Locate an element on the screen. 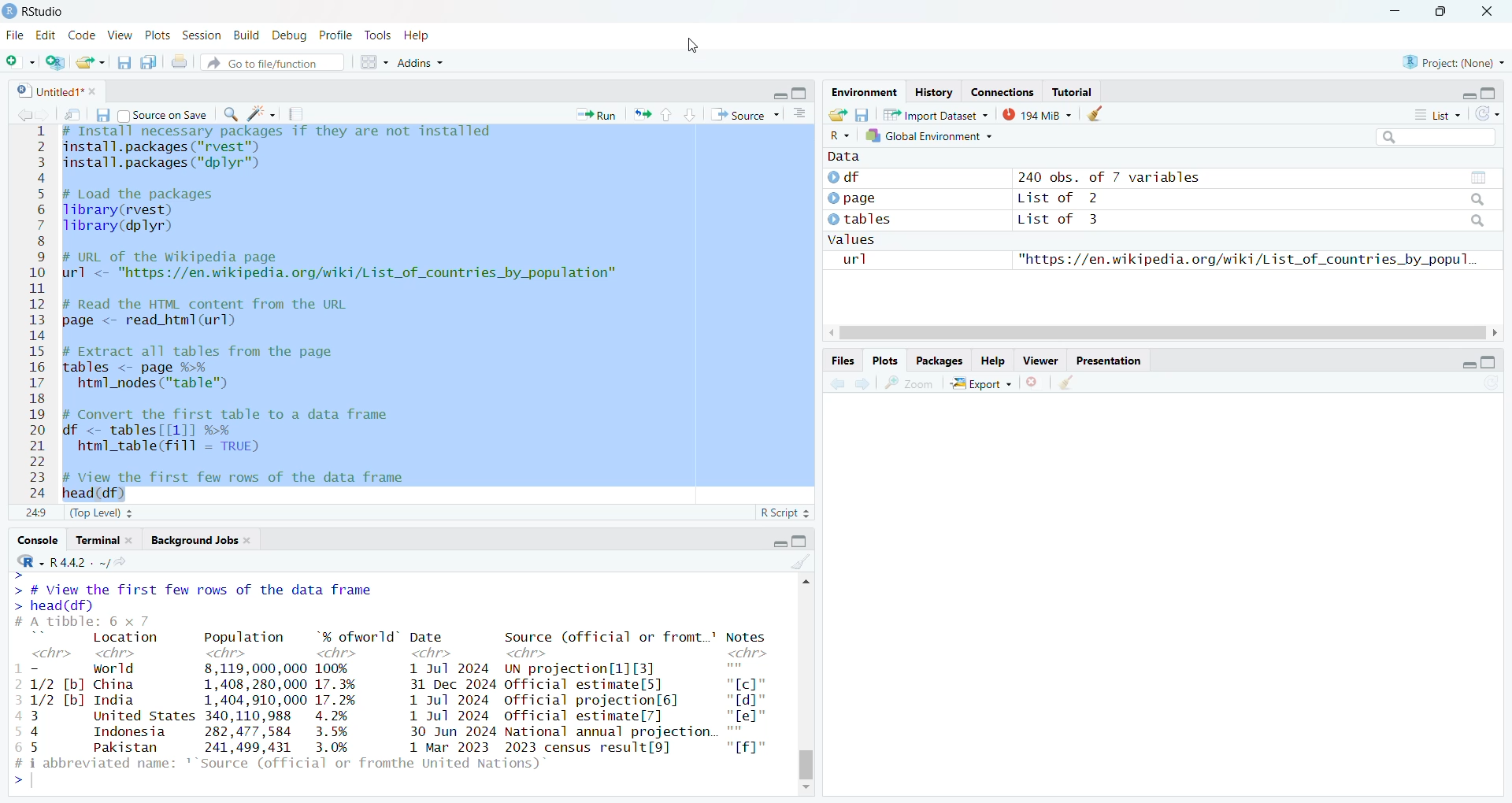 Image resolution: width=1512 pixels, height=803 pixels. RStudio is located at coordinates (29, 561).